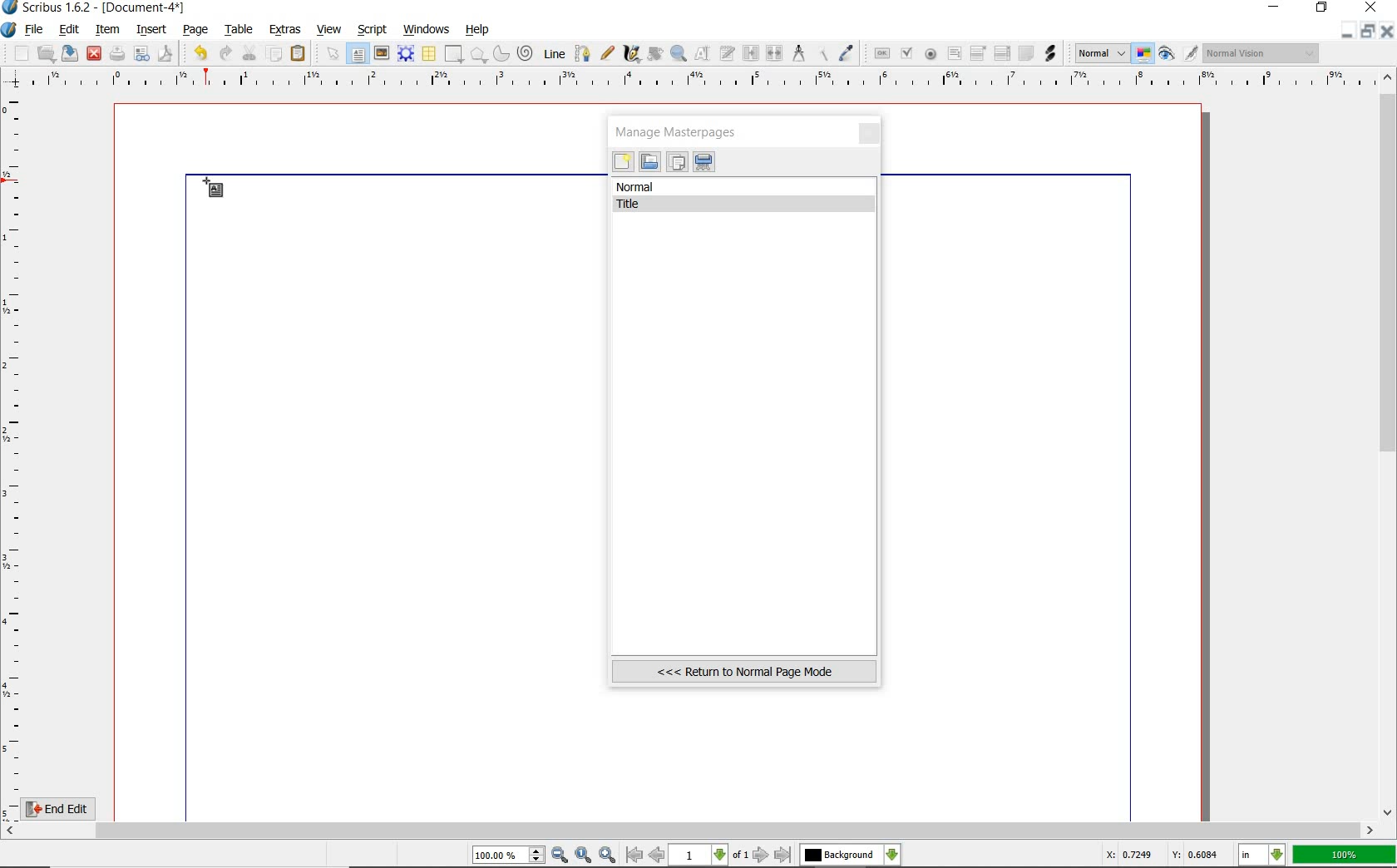 The height and width of the screenshot is (868, 1397). Describe the element at coordinates (1370, 32) in the screenshot. I see `restore` at that location.